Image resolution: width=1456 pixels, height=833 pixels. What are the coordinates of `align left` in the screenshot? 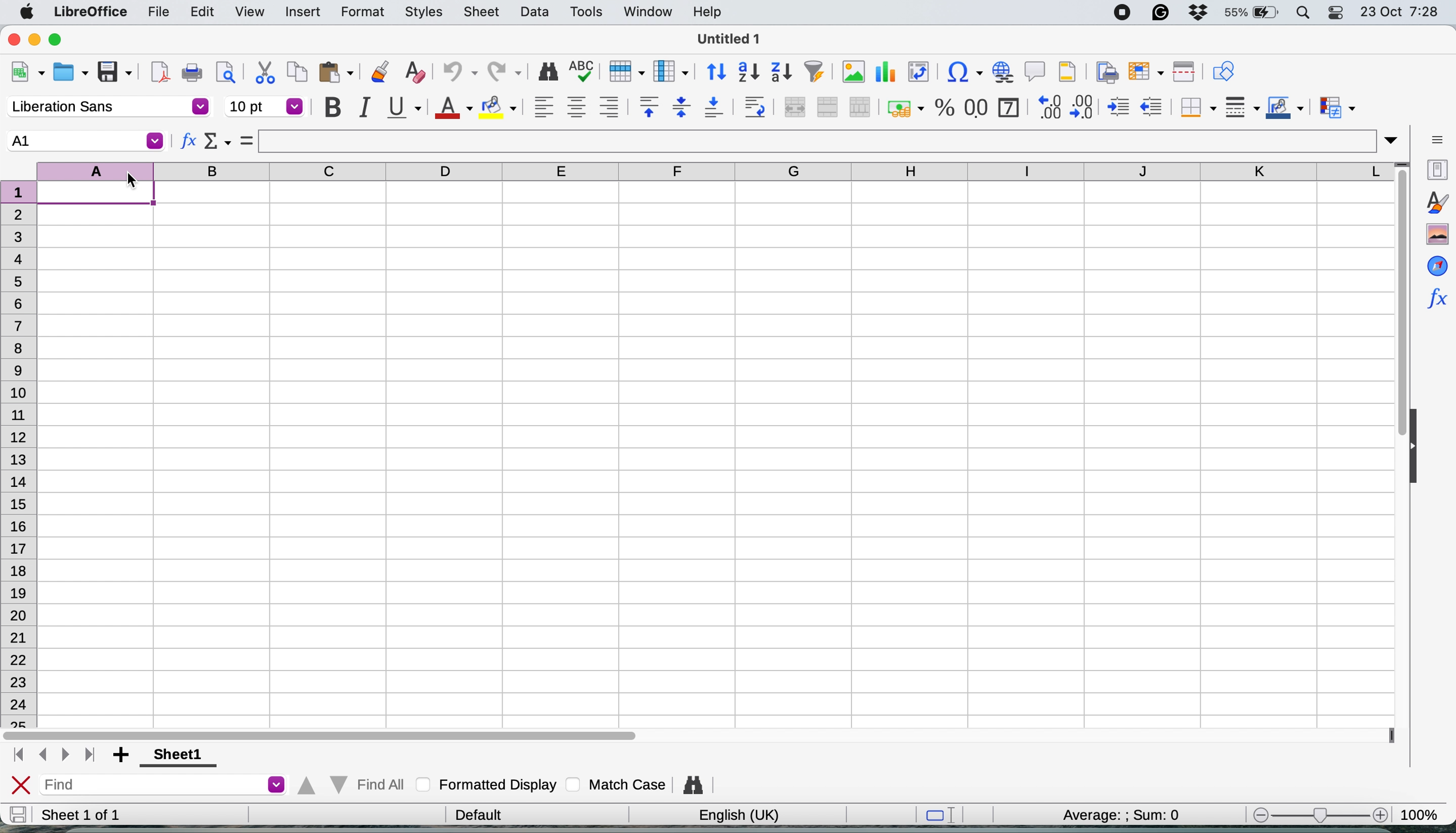 It's located at (541, 106).